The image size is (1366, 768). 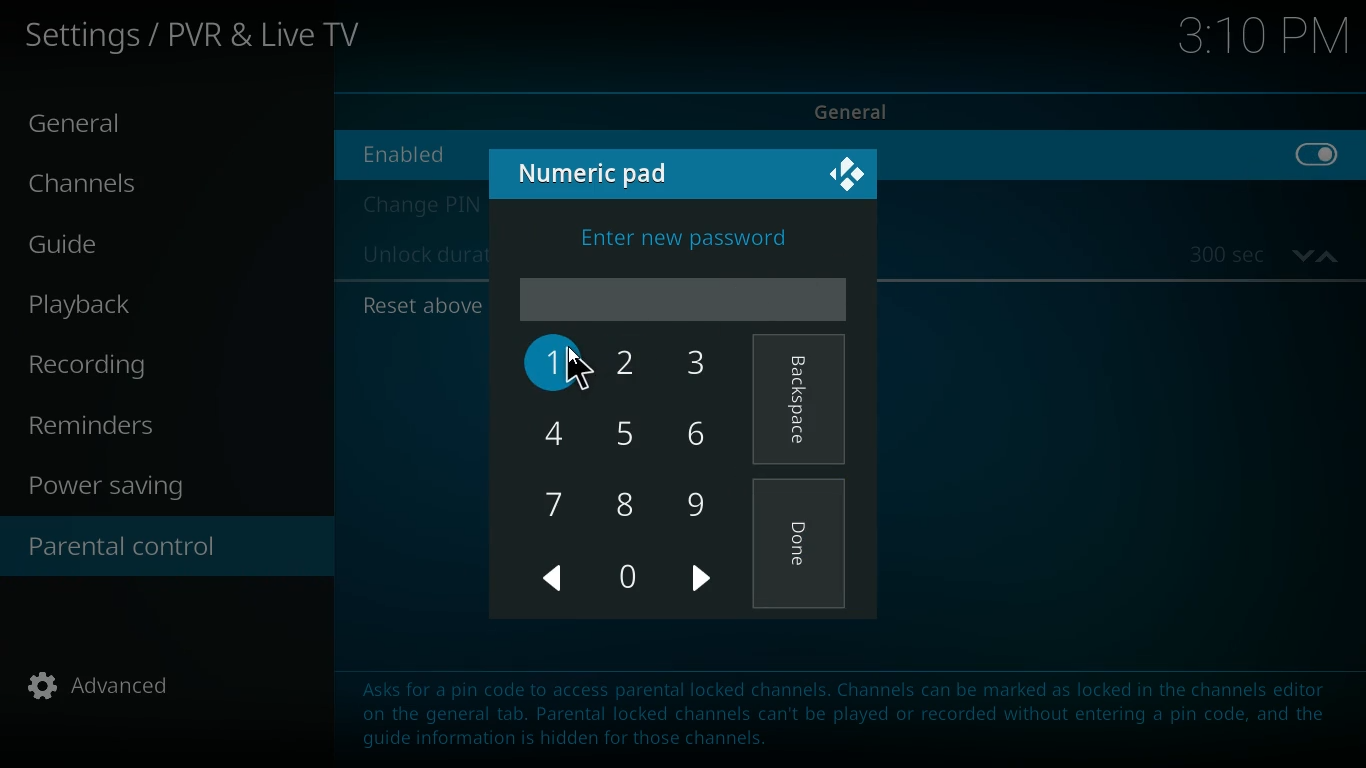 I want to click on general , so click(x=94, y=125).